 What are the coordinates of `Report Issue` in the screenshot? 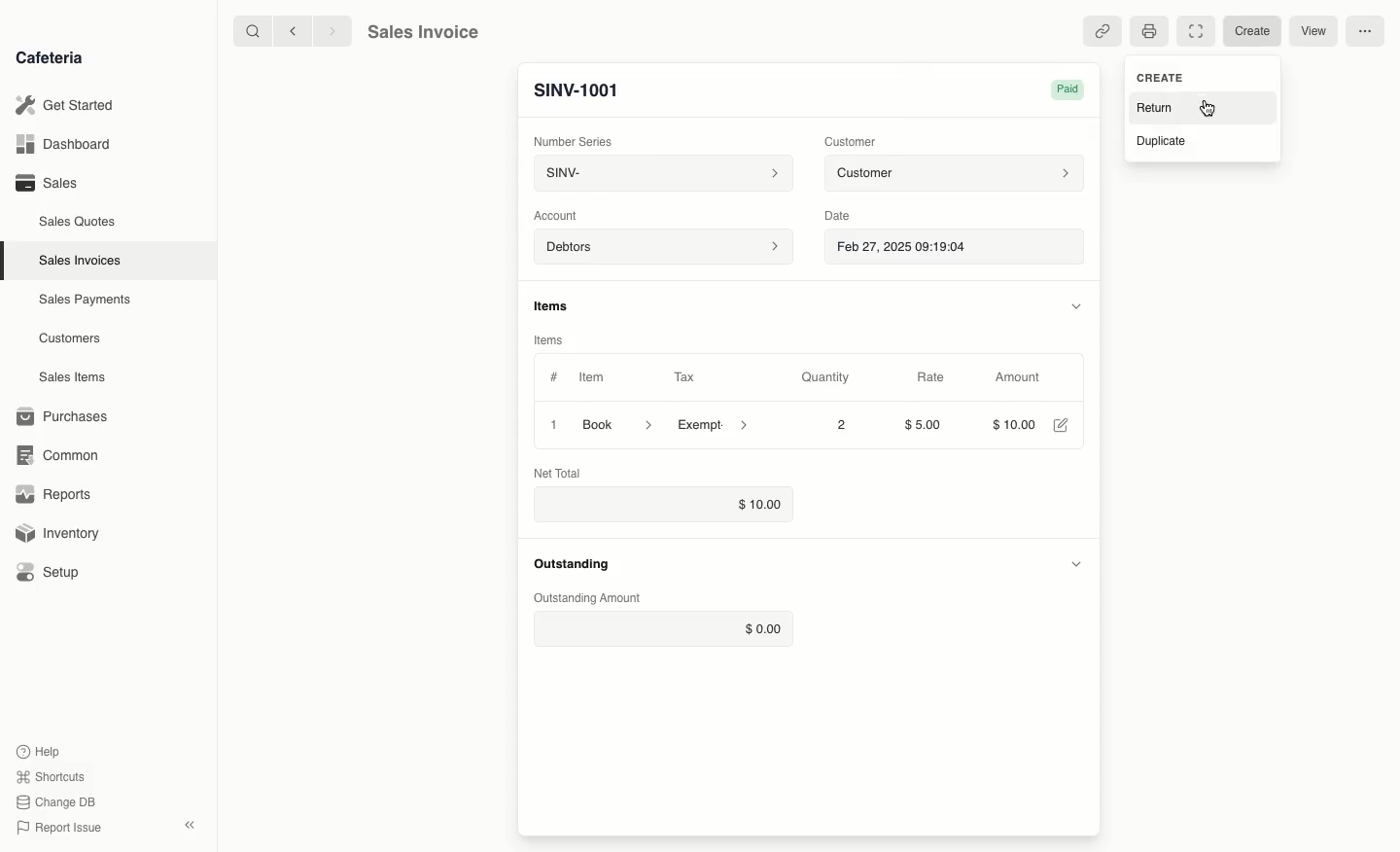 It's located at (63, 826).